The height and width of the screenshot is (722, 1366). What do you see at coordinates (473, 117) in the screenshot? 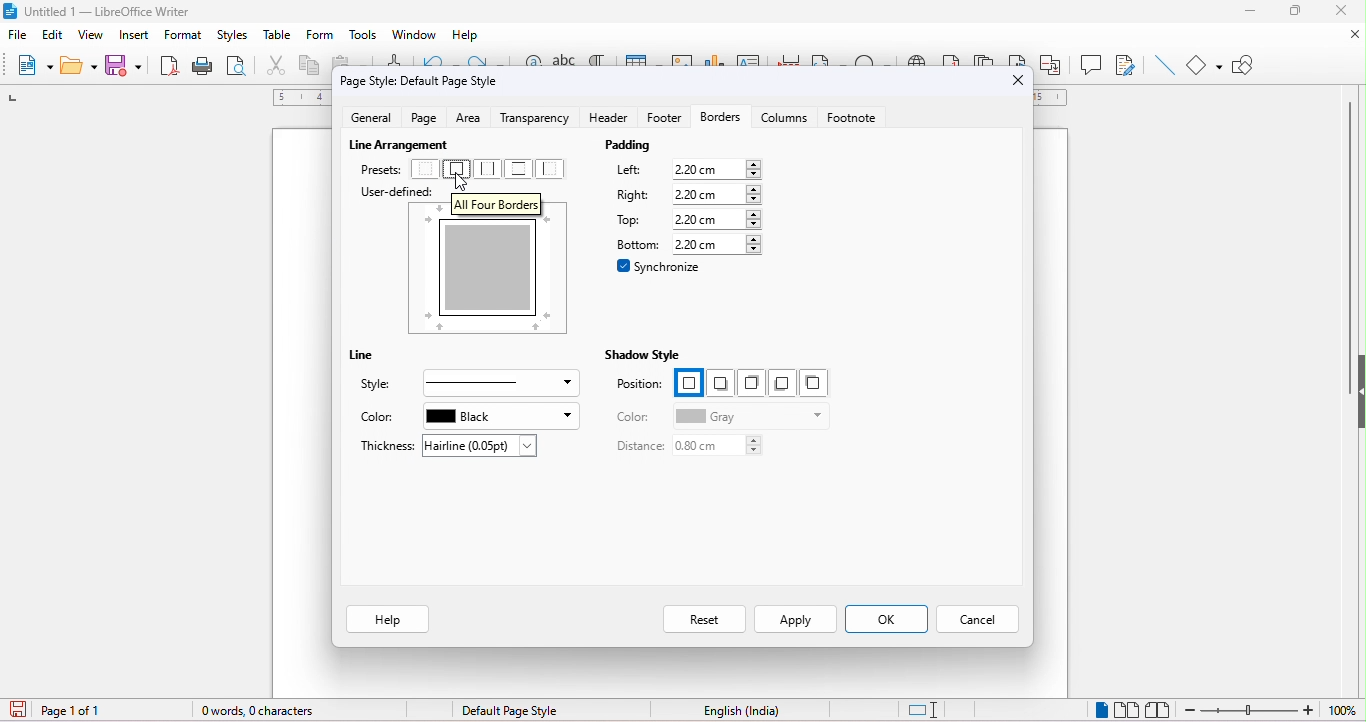
I see `area` at bounding box center [473, 117].